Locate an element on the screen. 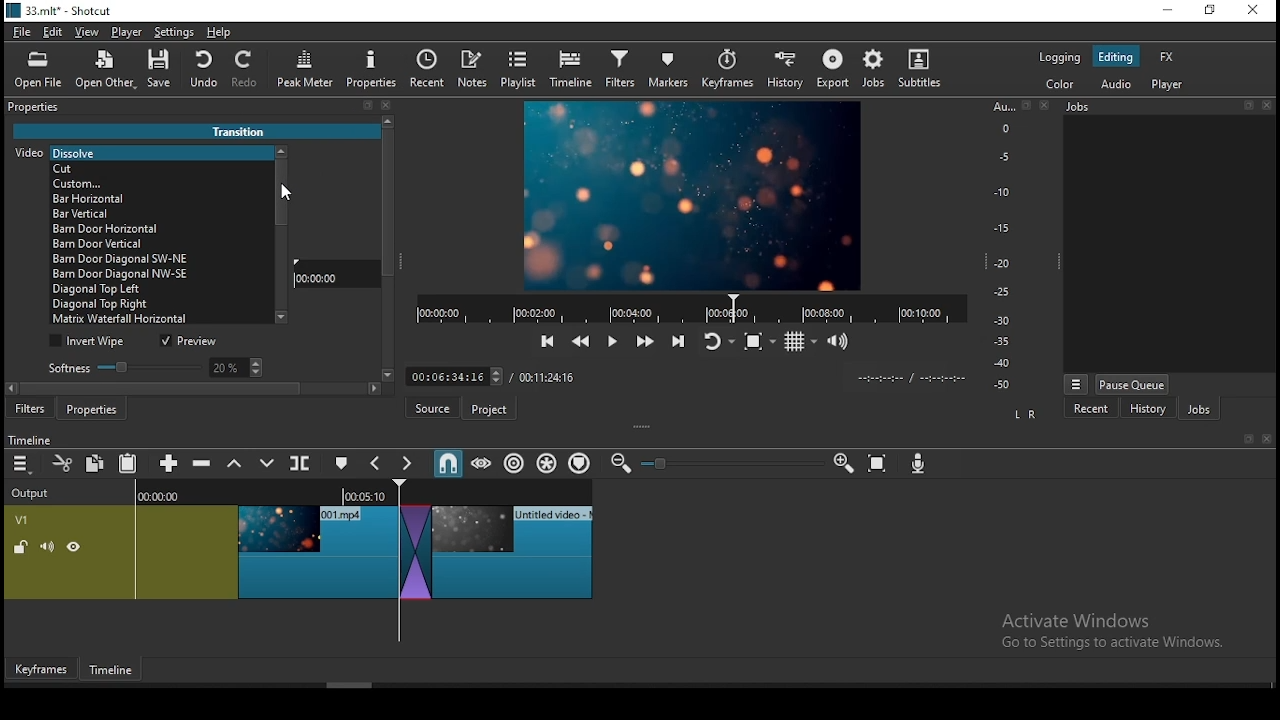 This screenshot has height=720, width=1280. playlist is located at coordinates (520, 70).